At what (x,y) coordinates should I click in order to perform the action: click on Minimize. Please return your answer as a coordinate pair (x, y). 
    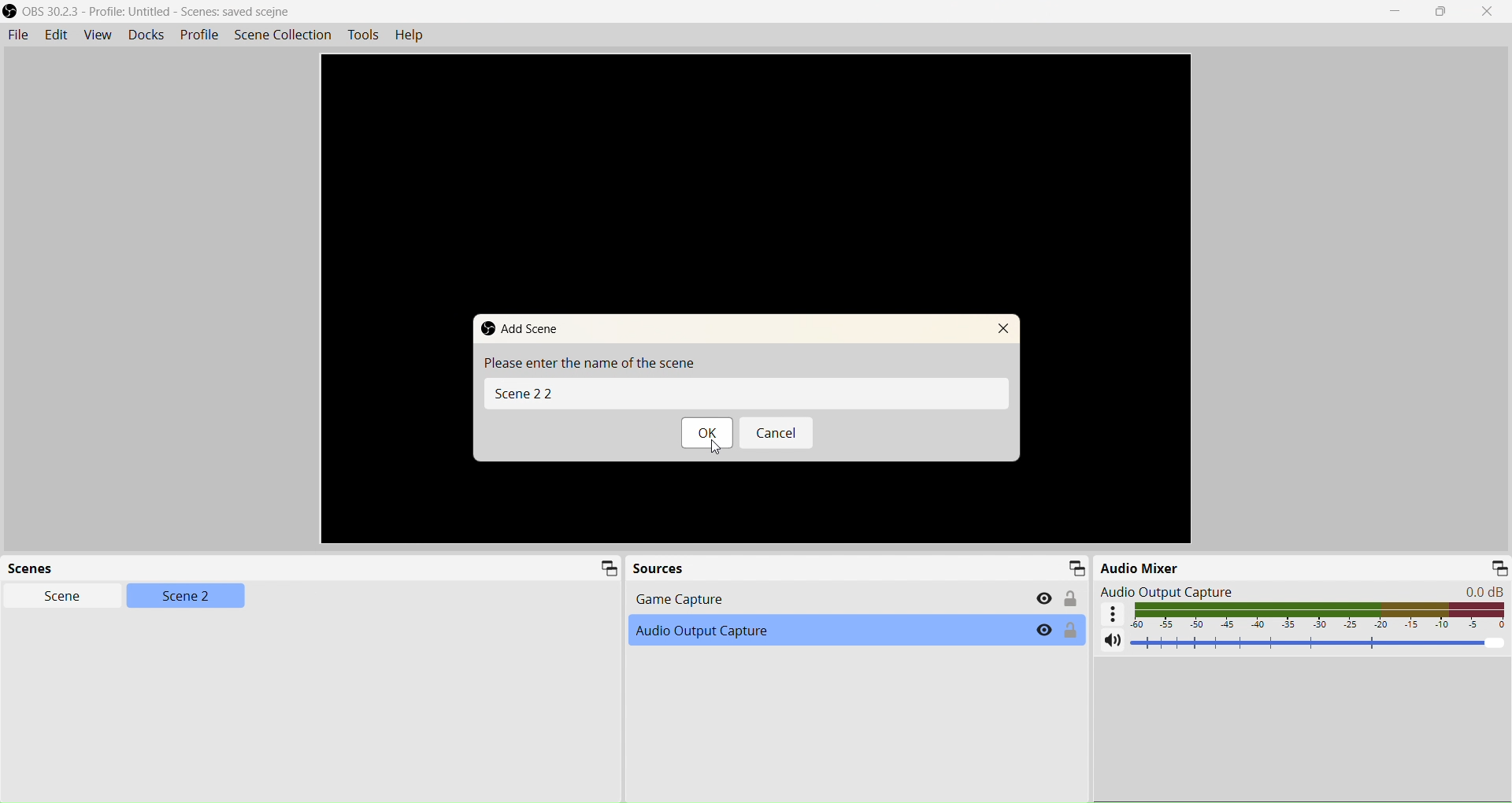
    Looking at the image, I should click on (1395, 12).